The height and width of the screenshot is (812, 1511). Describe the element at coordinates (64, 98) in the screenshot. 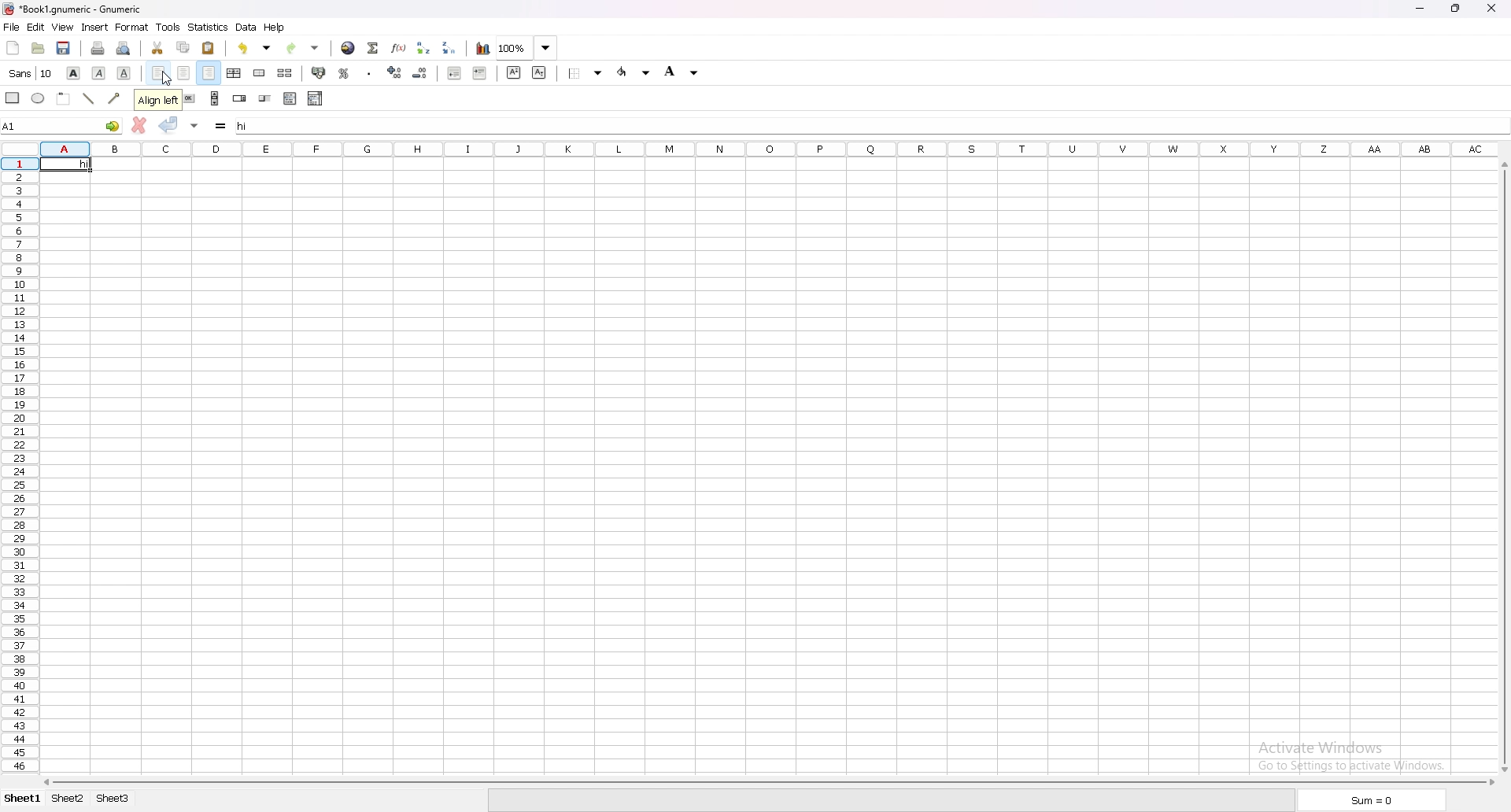

I see `frame` at that location.